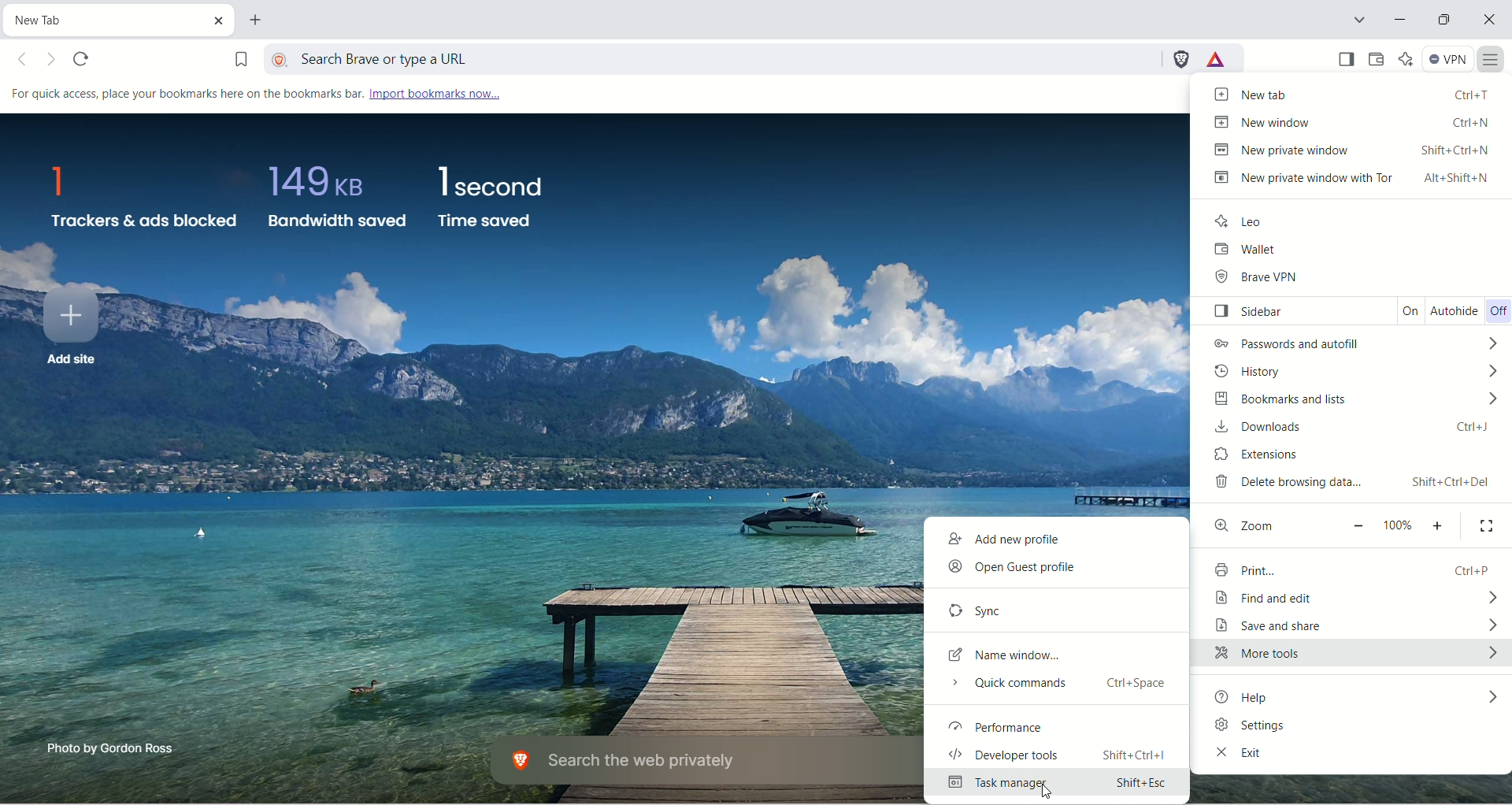 Image resolution: width=1512 pixels, height=805 pixels. I want to click on Search the web privately , so click(692, 762).